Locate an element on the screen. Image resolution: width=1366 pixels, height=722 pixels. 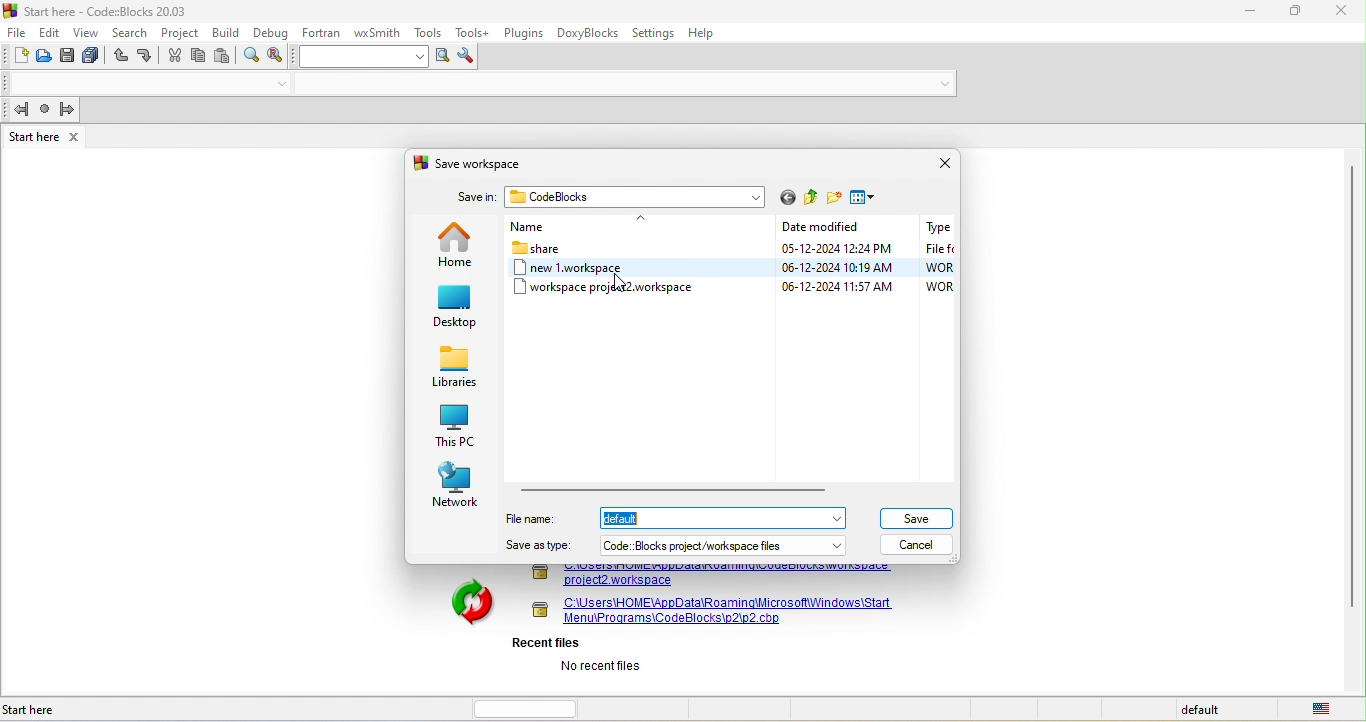
up one level is located at coordinates (812, 200).